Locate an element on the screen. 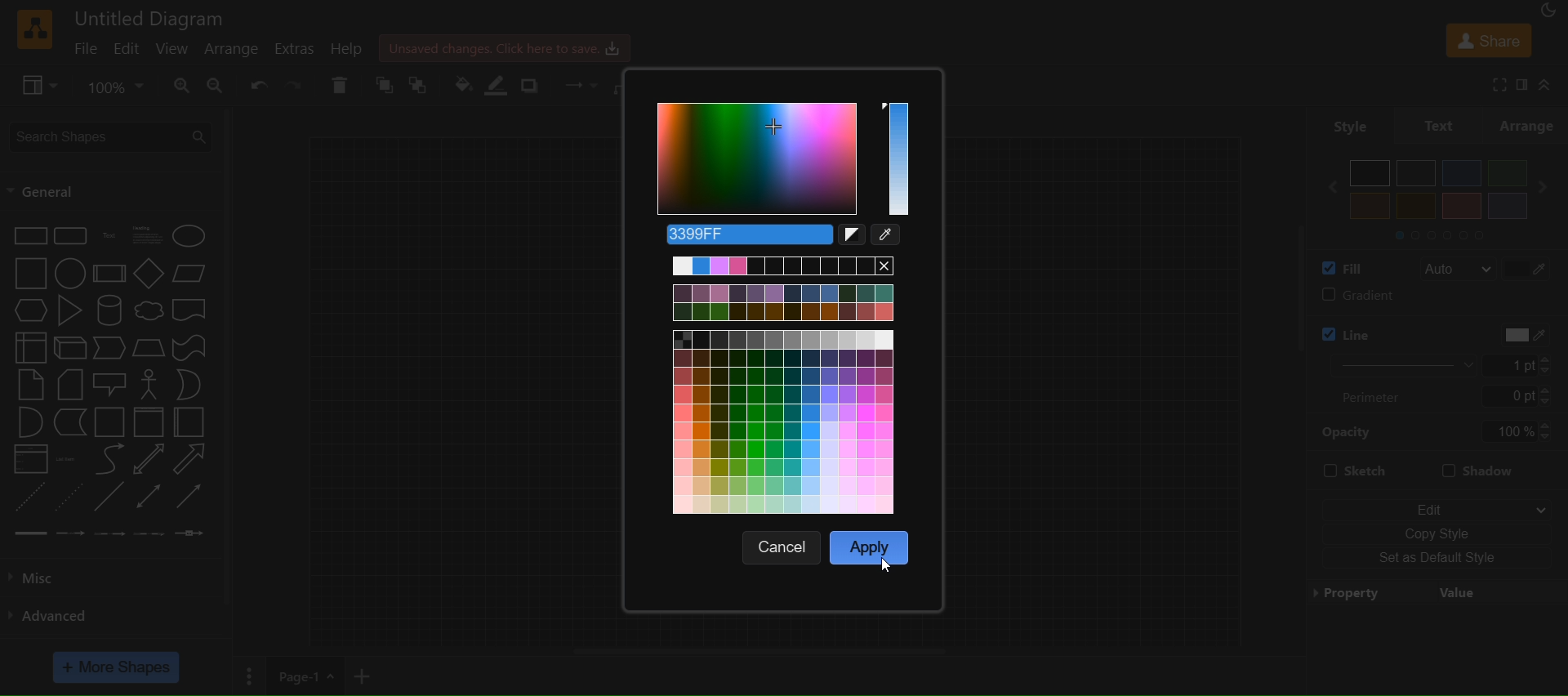  color palette is located at coordinates (787, 386).